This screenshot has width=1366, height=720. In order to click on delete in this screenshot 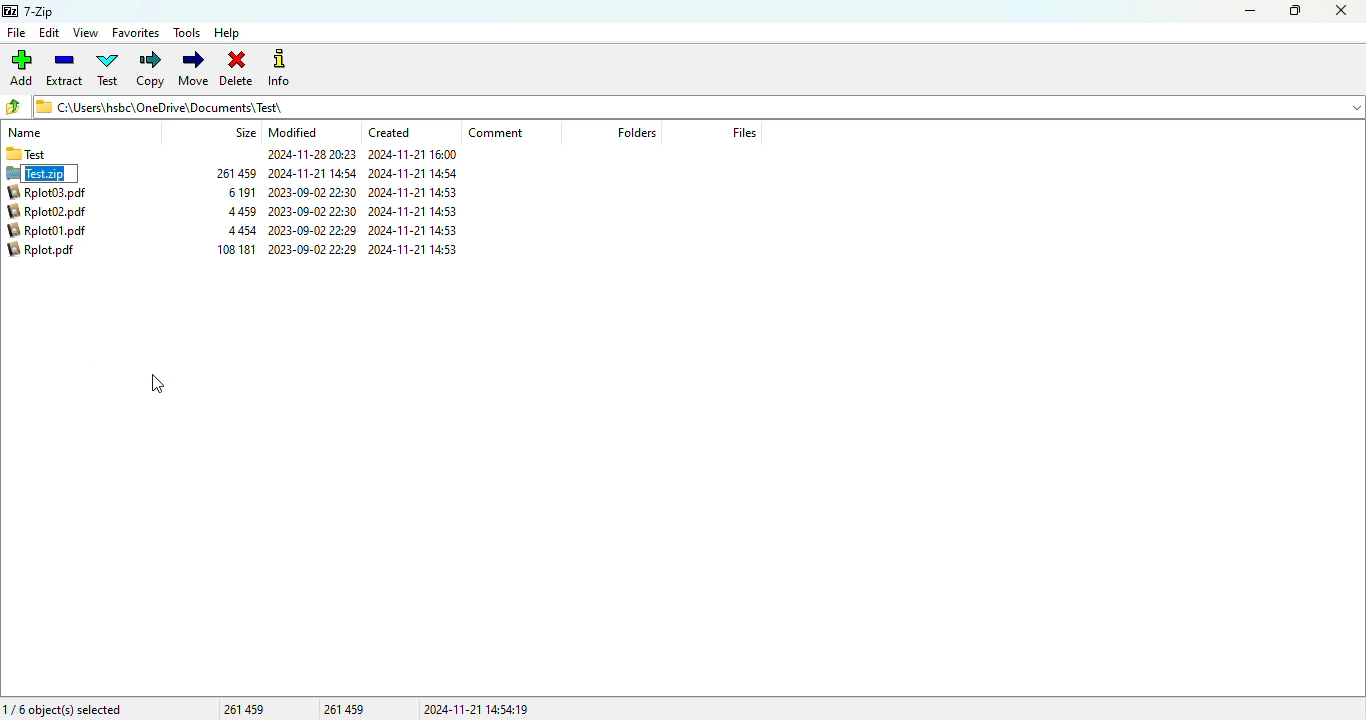, I will do `click(237, 68)`.